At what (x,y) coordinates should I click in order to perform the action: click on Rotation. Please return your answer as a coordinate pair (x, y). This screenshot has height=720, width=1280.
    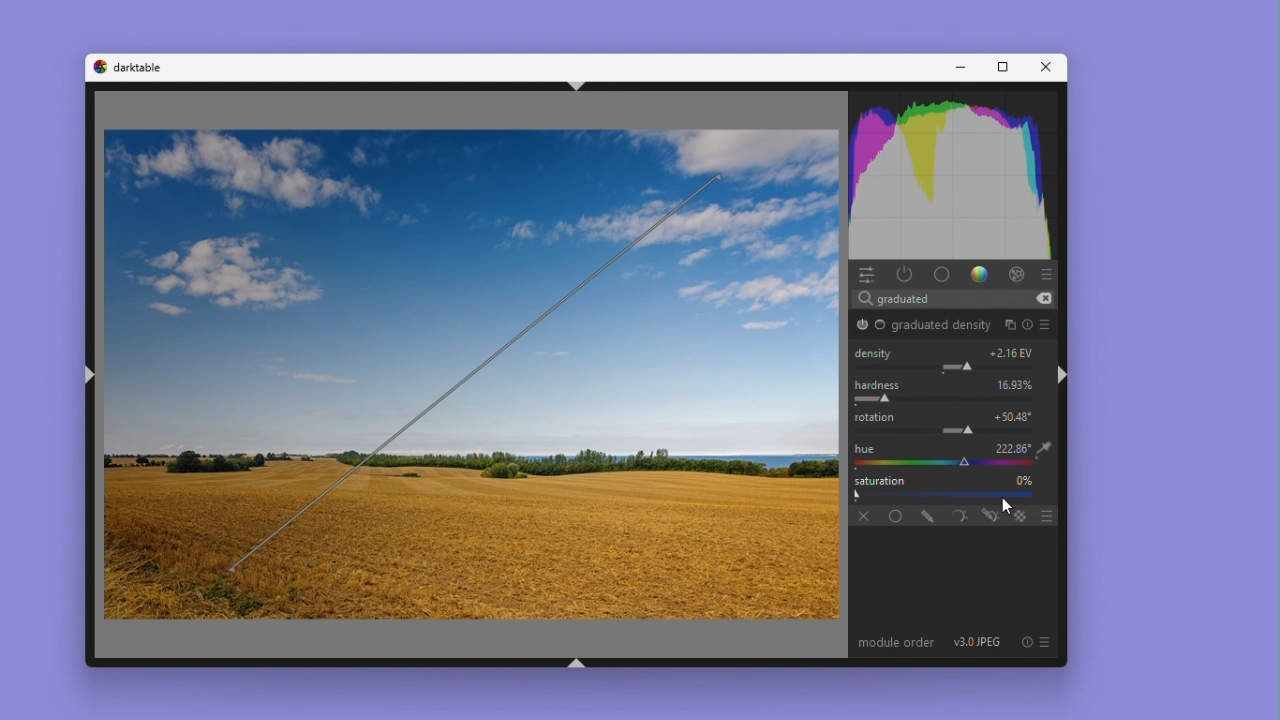
    Looking at the image, I should click on (474, 367).